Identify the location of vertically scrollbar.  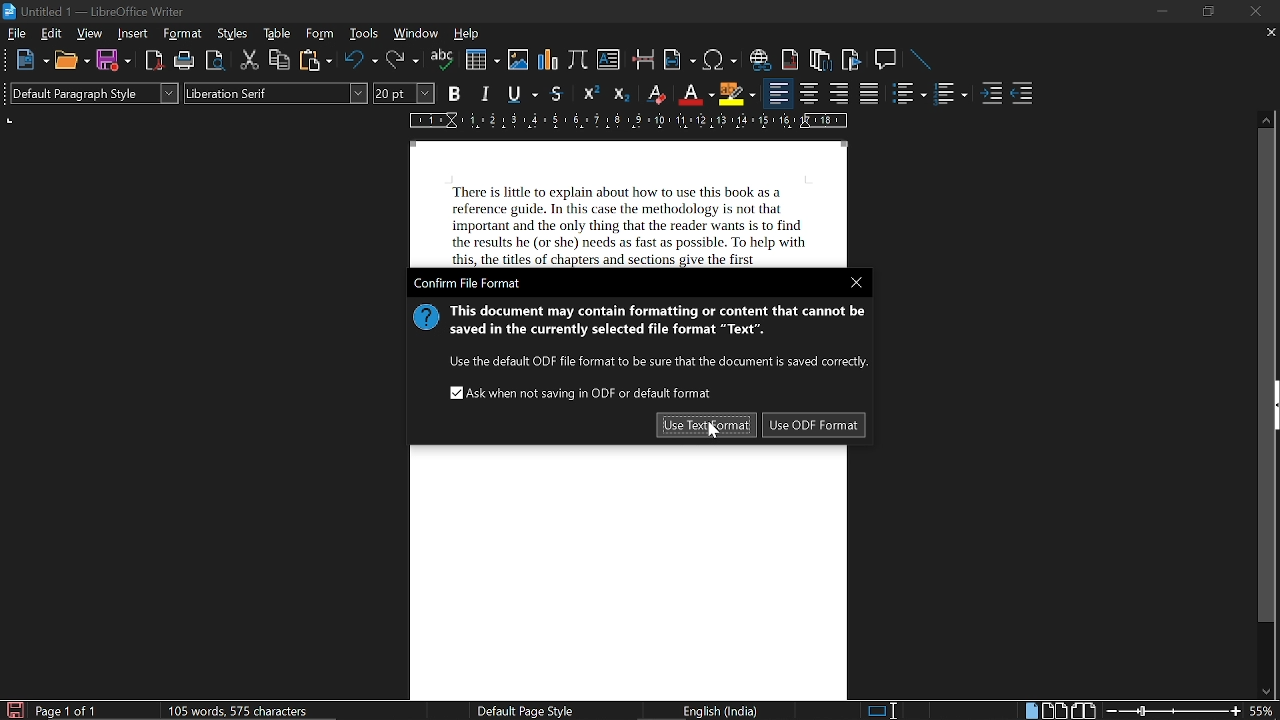
(1267, 376).